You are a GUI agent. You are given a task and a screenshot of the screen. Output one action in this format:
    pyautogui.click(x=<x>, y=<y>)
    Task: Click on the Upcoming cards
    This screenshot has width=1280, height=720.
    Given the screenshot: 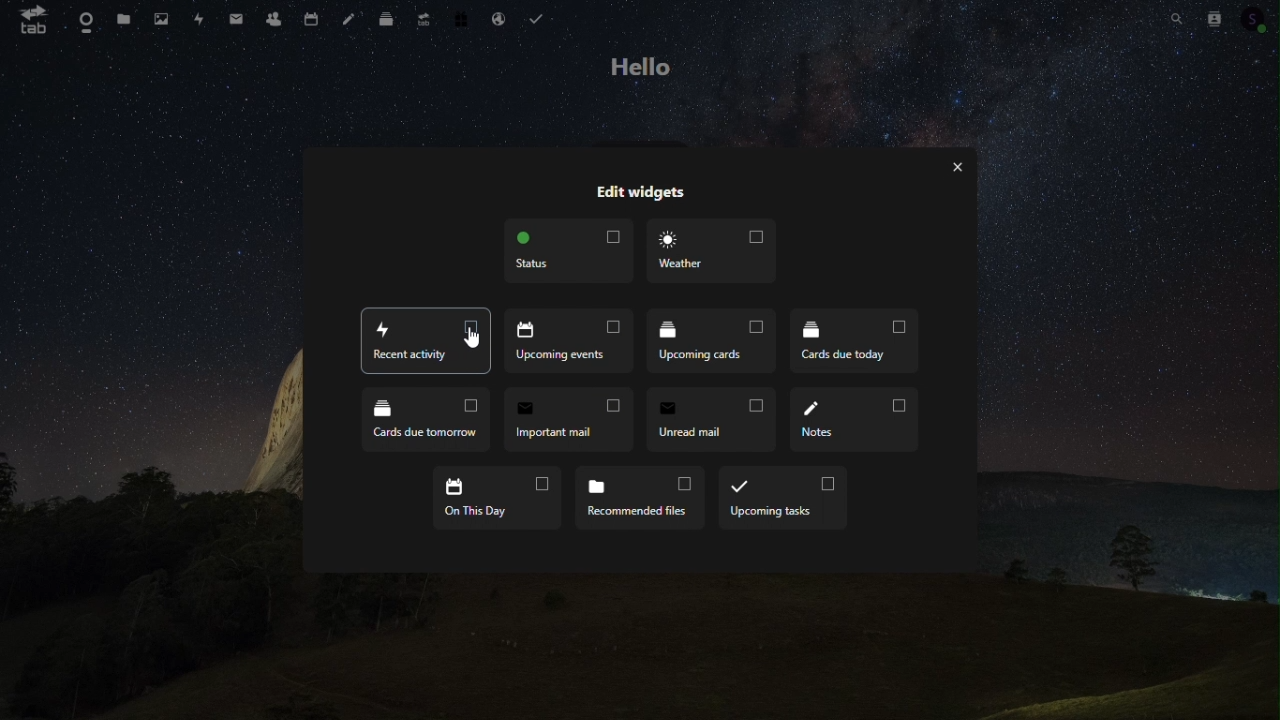 What is the action you would take?
    pyautogui.click(x=709, y=340)
    